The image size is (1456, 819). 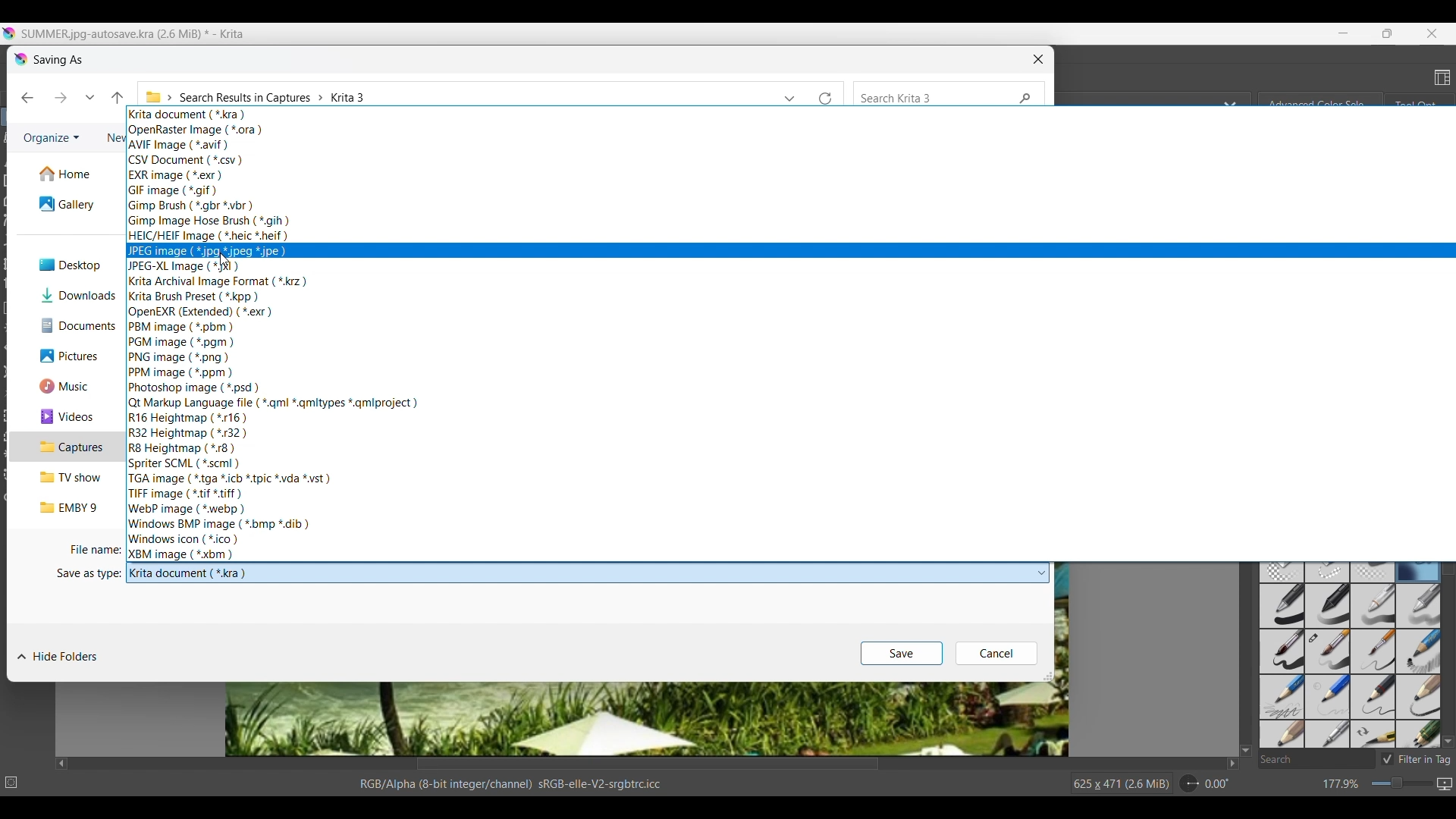 I want to click on Captures folder, current selection highlighted, so click(x=63, y=447).